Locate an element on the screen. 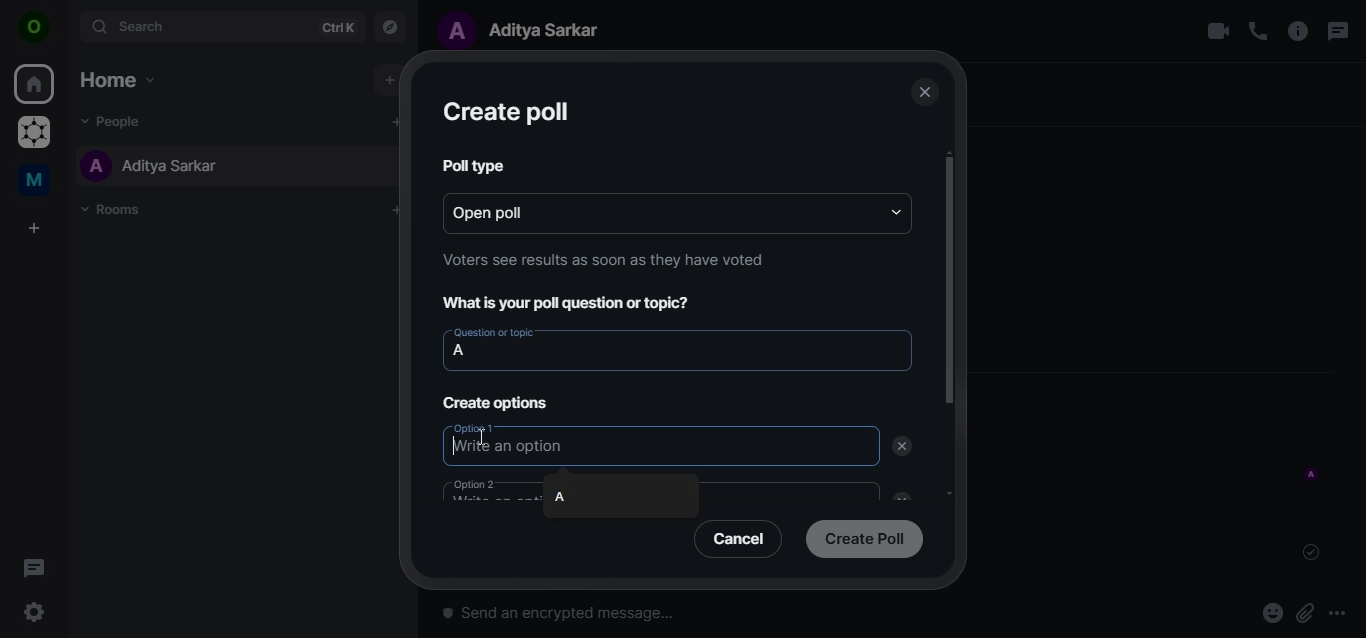 This screenshot has width=1366, height=638. video call is located at coordinates (1217, 31).